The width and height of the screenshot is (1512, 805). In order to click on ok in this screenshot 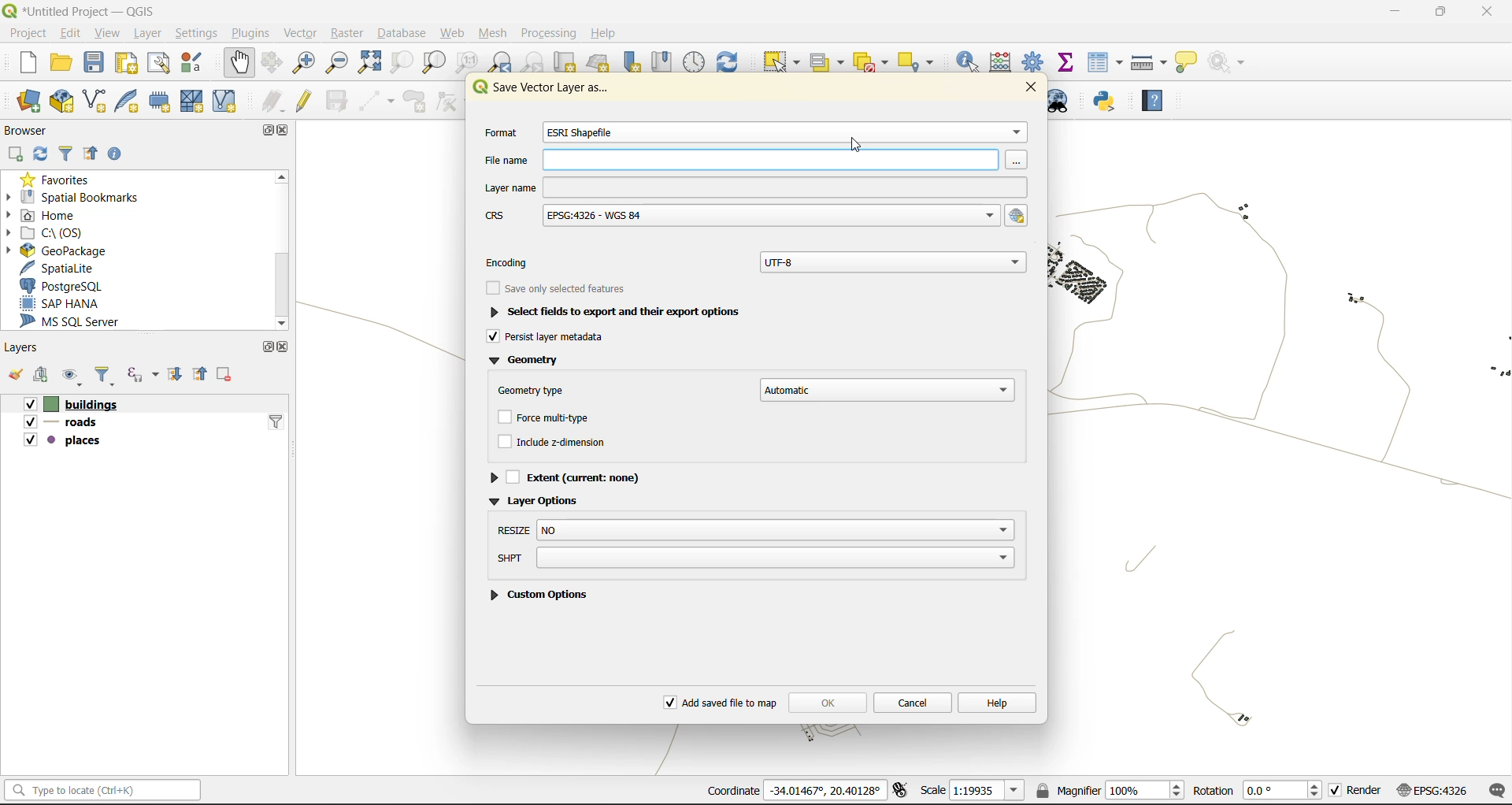, I will do `click(827, 700)`.